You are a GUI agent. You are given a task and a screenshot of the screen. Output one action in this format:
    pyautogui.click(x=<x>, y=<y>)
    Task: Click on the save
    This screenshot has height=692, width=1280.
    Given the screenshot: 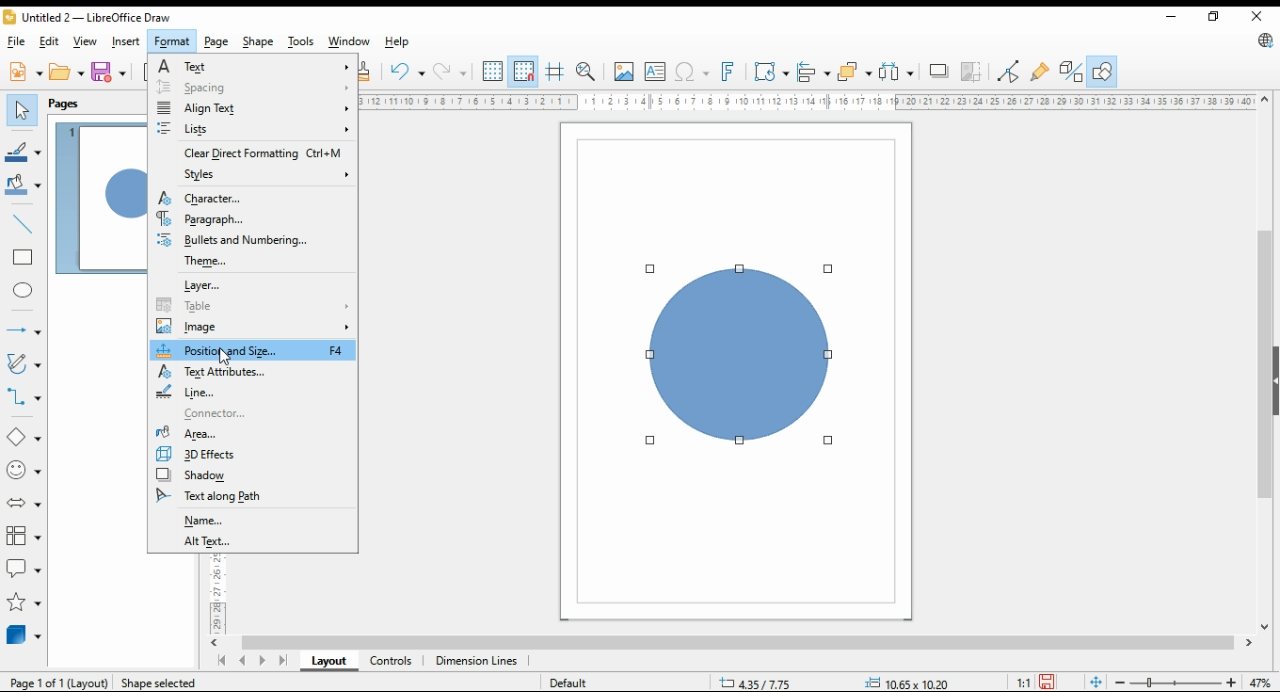 What is the action you would take?
    pyautogui.click(x=108, y=71)
    